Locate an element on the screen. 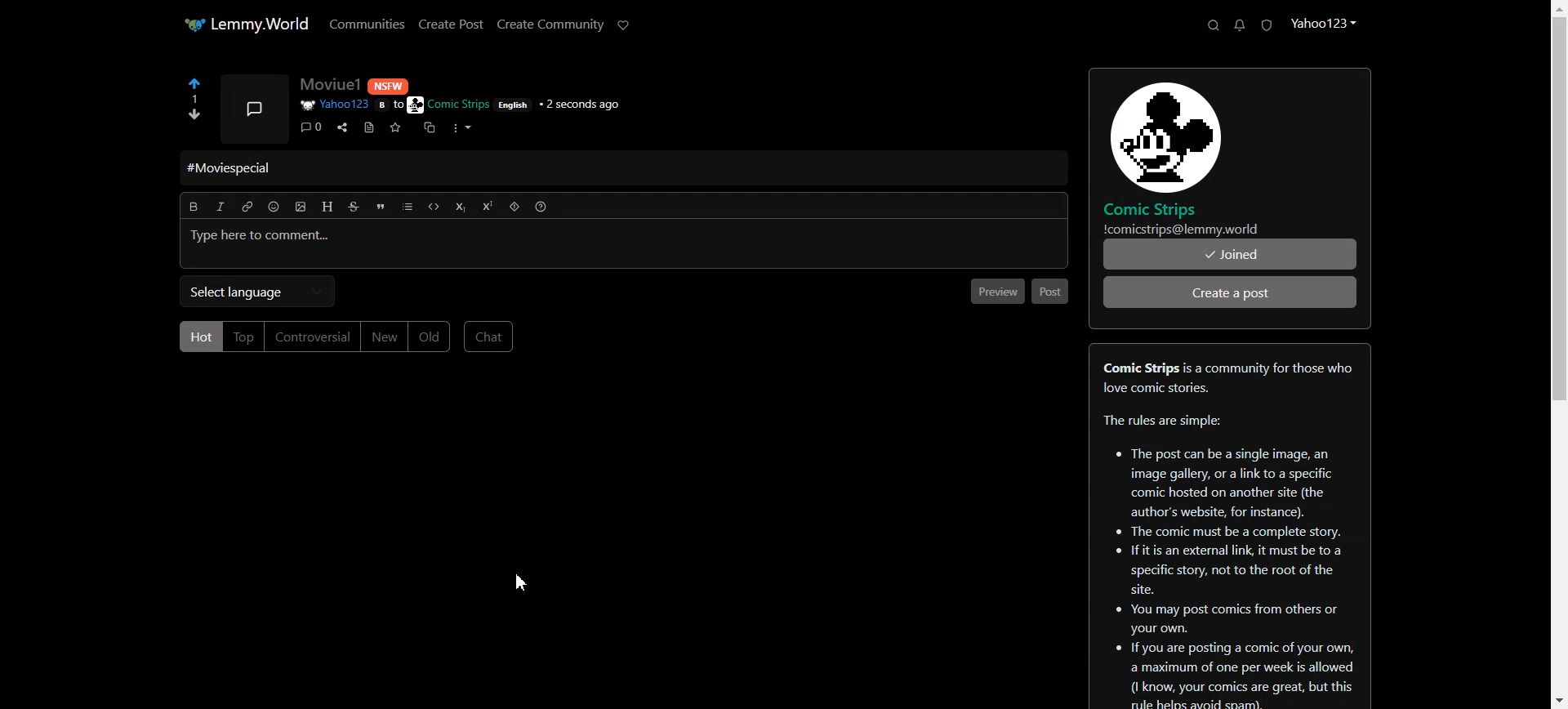  List is located at coordinates (407, 207).